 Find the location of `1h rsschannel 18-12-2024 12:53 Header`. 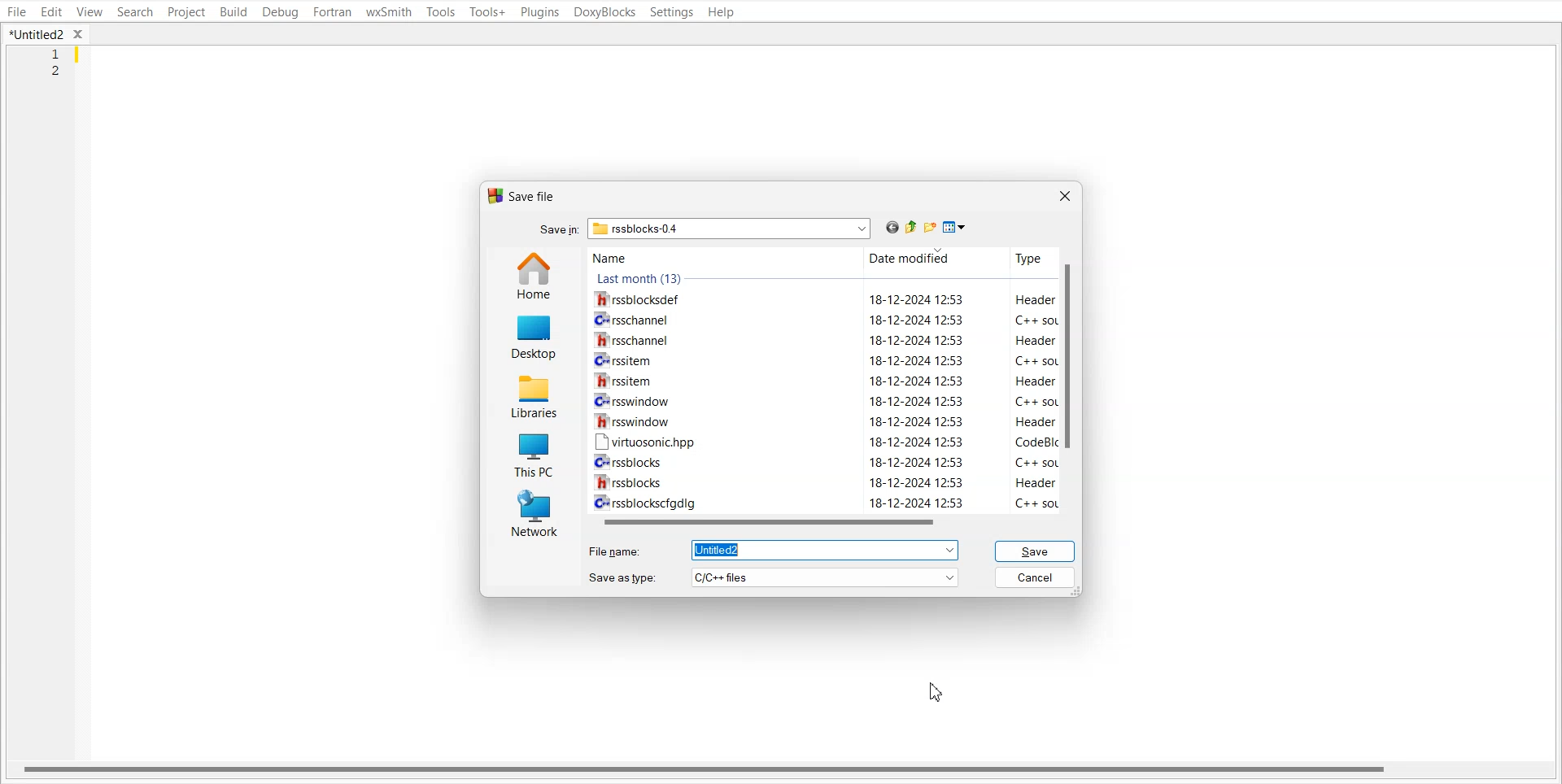

1h rsschannel 18-12-2024 12:53 Header is located at coordinates (823, 341).